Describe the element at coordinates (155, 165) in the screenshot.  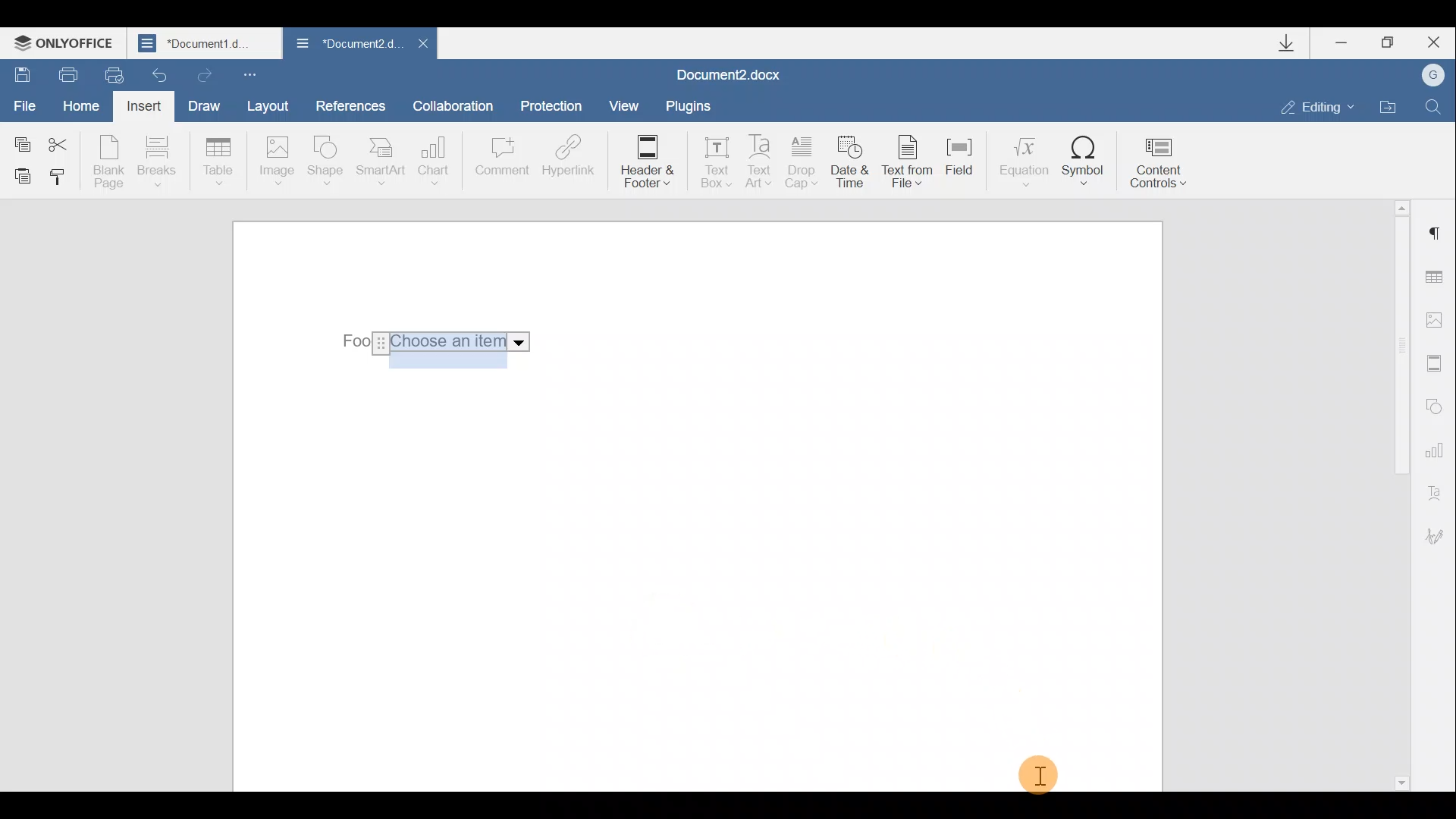
I see `Breaks` at that location.